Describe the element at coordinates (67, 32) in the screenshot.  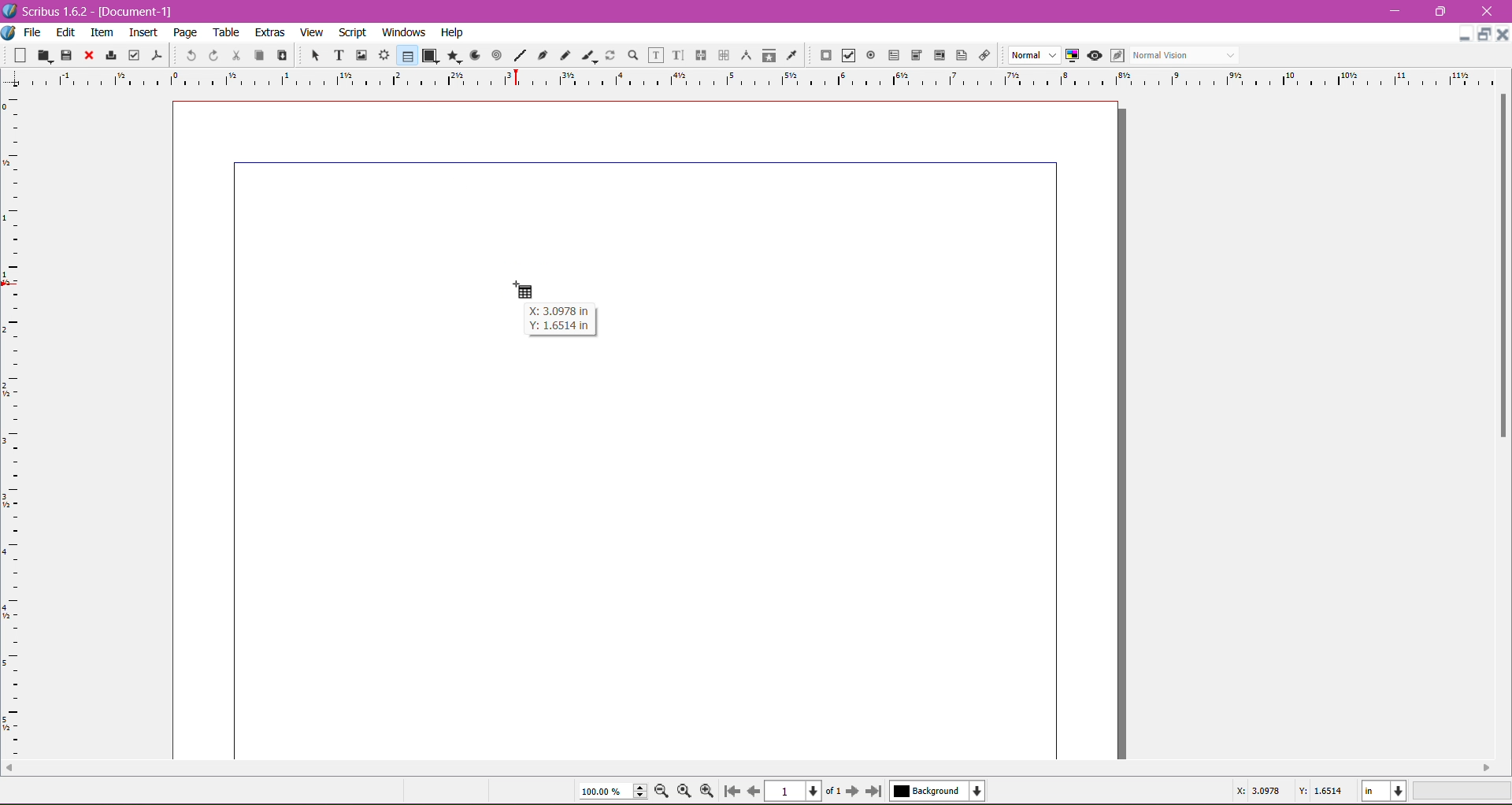
I see `Edit` at that location.